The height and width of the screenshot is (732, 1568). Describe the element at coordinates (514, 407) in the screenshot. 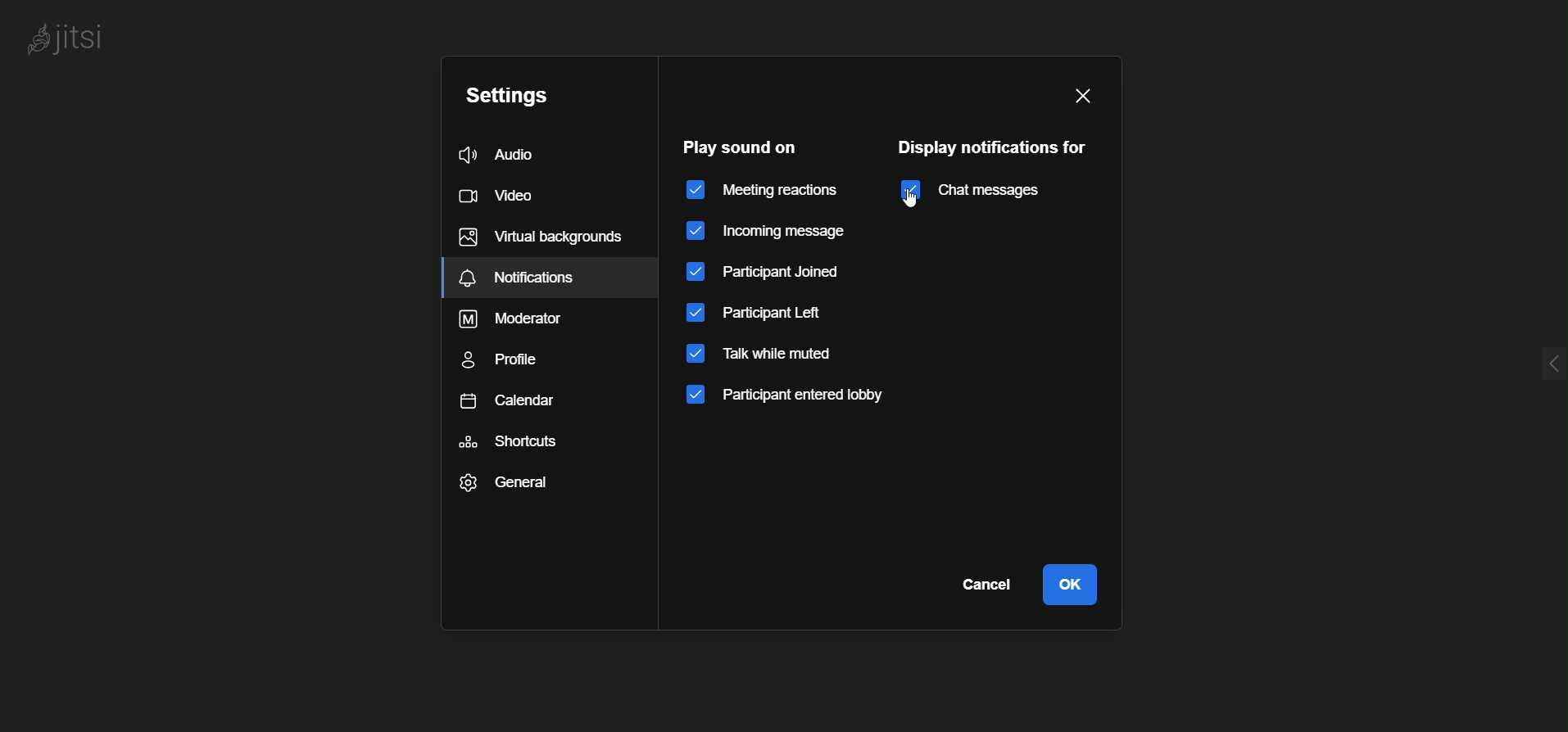

I see `calendar` at that location.